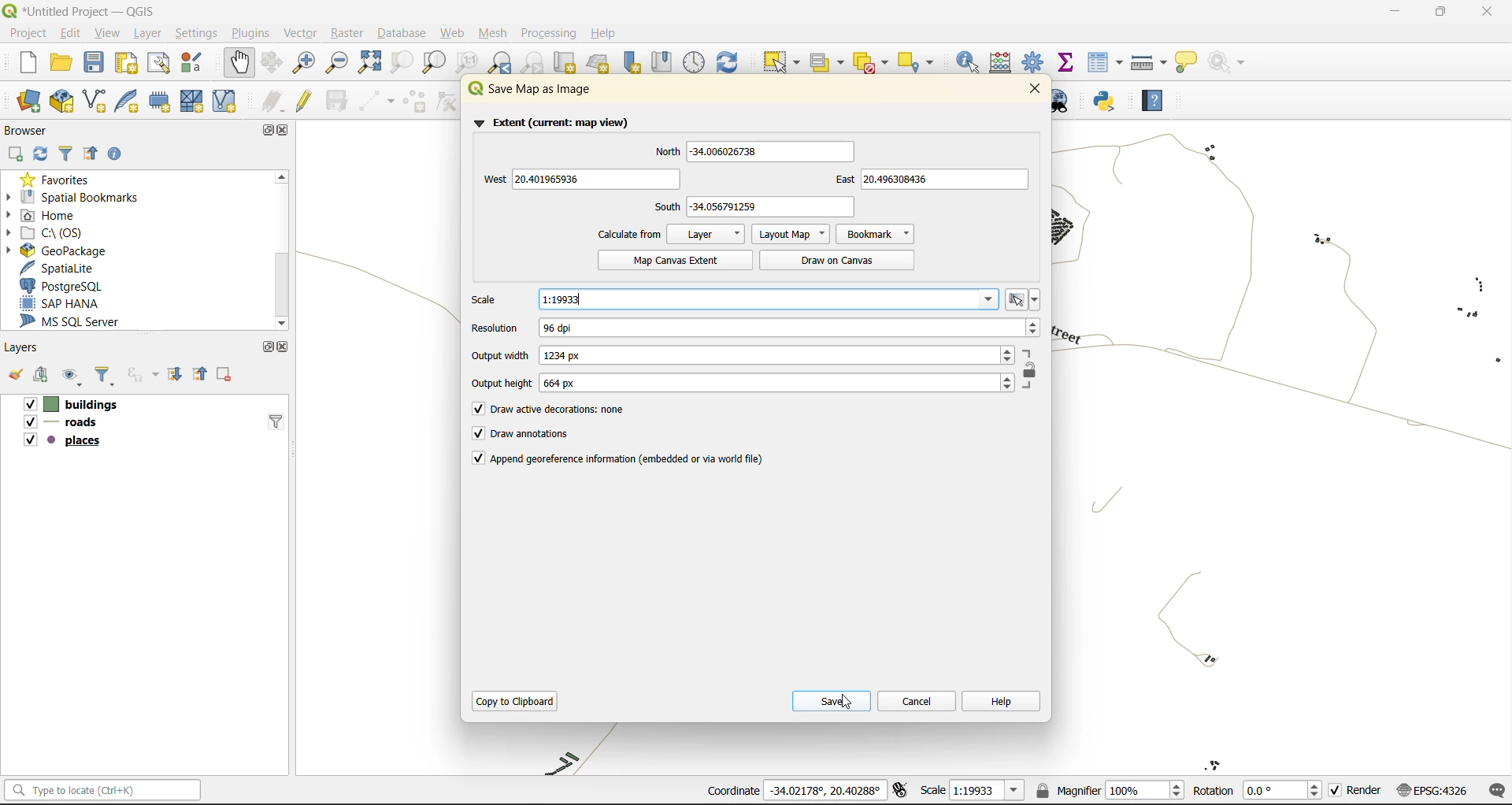 The image size is (1512, 805). I want to click on output width, so click(747, 354).